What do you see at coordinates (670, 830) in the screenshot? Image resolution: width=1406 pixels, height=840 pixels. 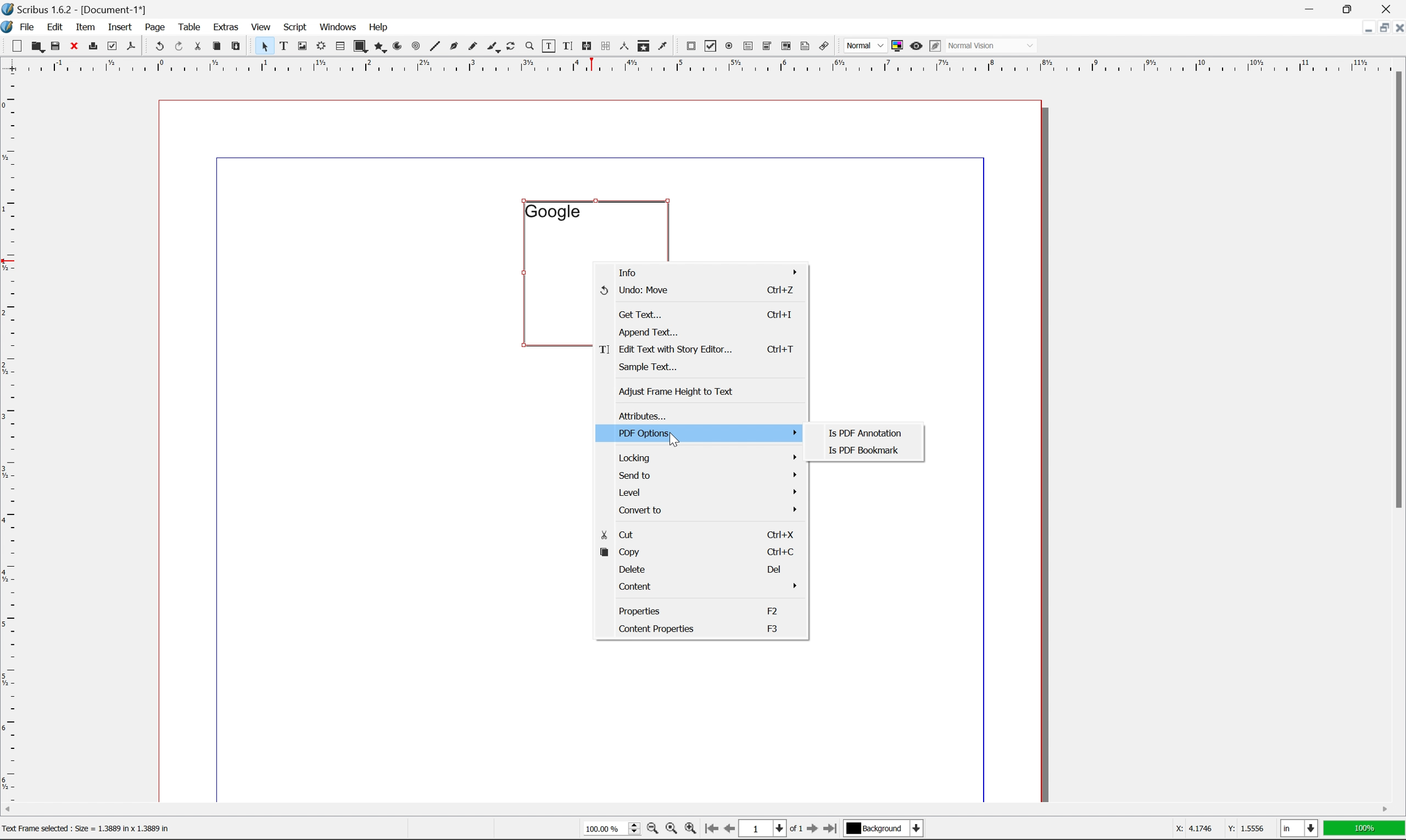 I see `zoom to 100%` at bounding box center [670, 830].